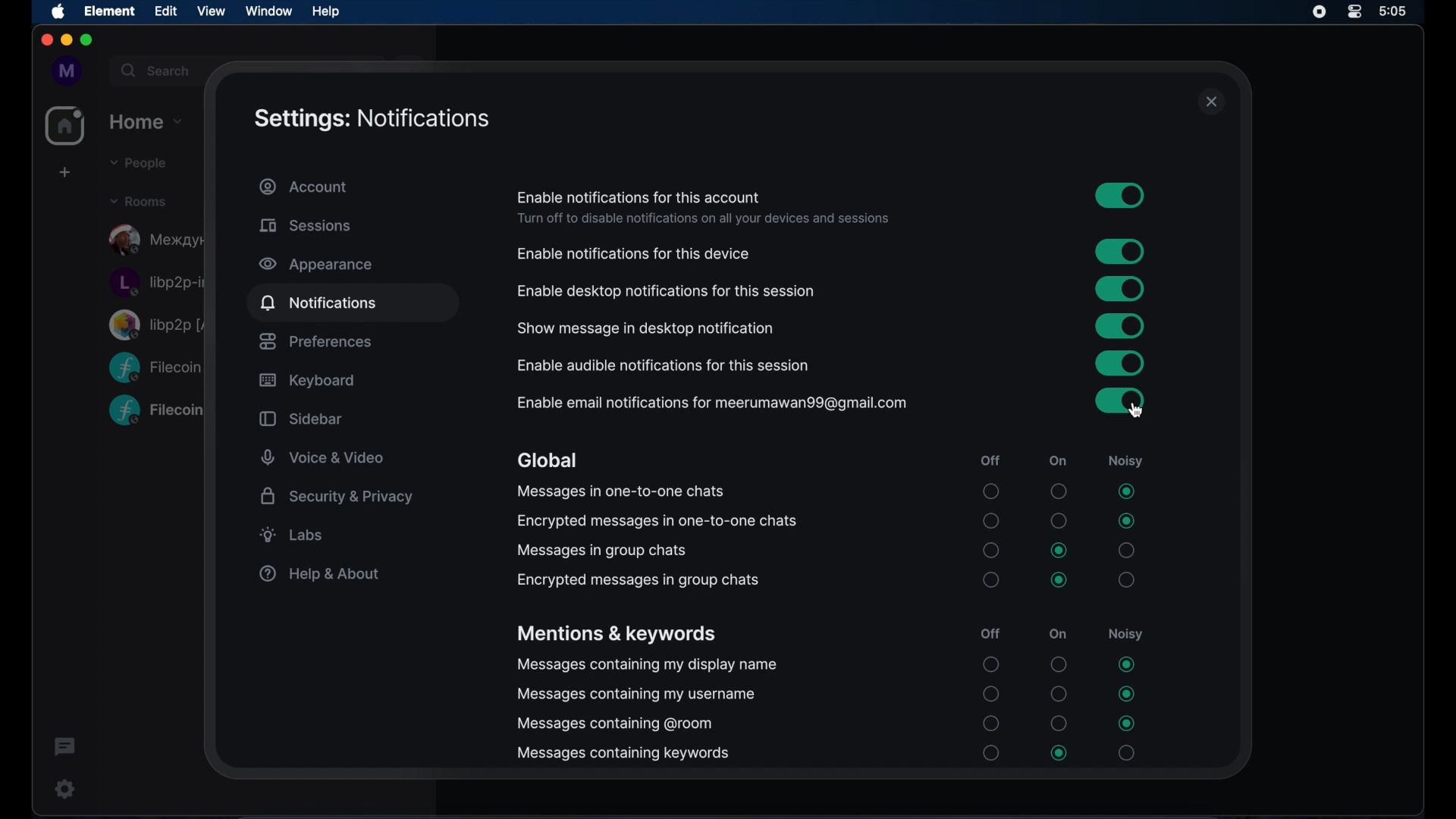 The height and width of the screenshot is (819, 1456). I want to click on toggle button, so click(1119, 400).